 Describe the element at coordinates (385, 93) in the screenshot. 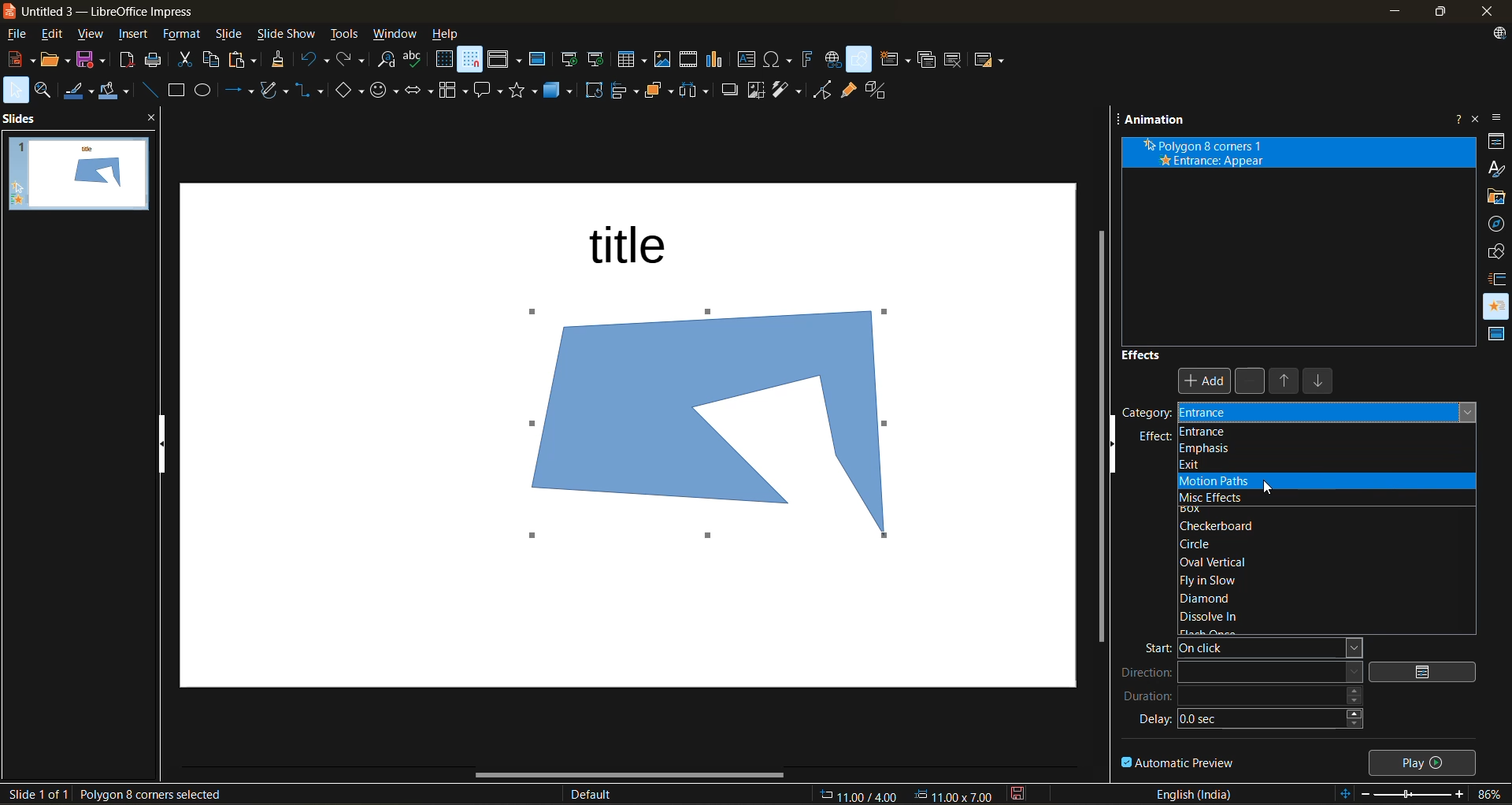

I see `symbol shapes` at that location.